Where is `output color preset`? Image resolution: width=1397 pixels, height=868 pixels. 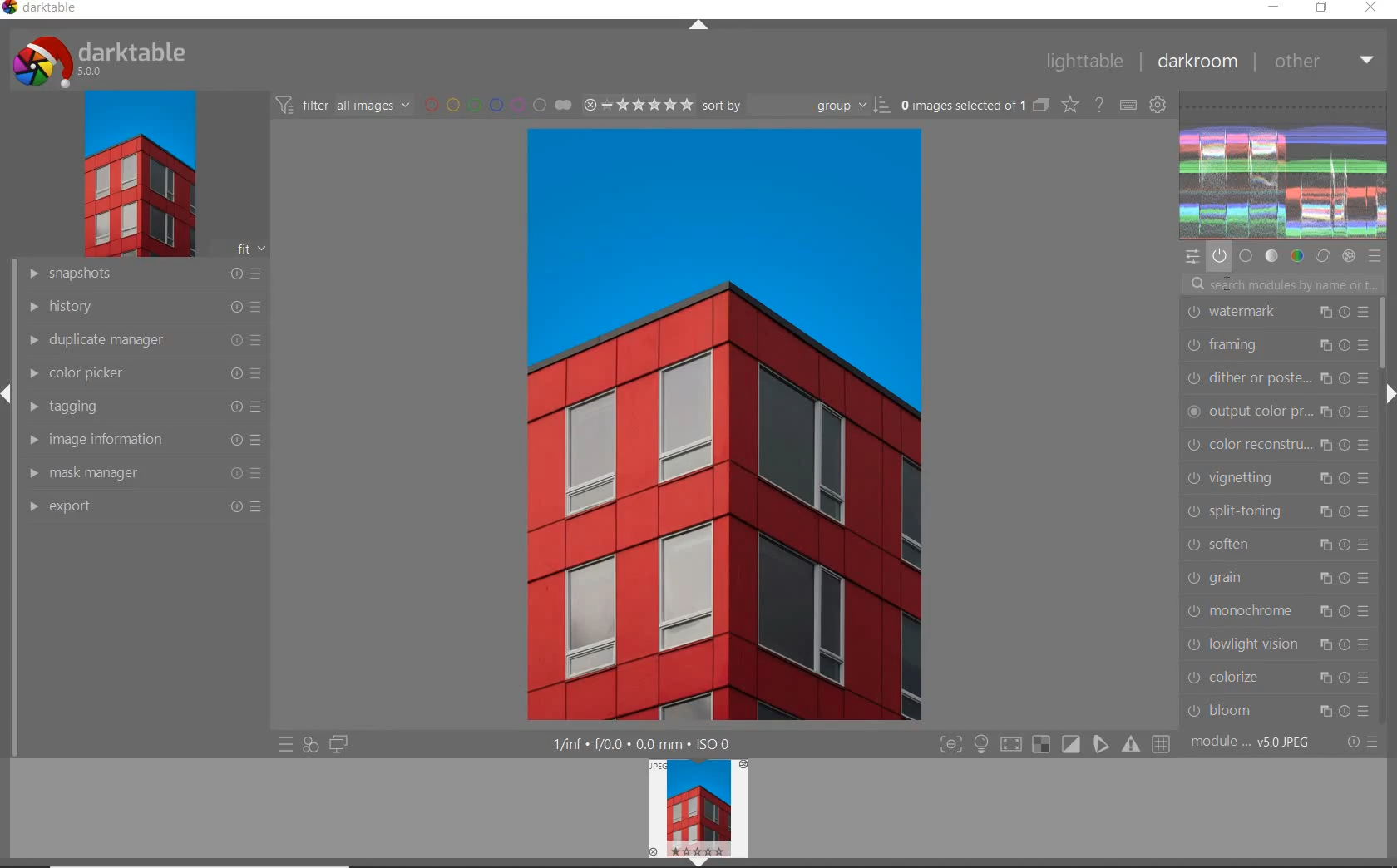
output color preset is located at coordinates (1277, 413).